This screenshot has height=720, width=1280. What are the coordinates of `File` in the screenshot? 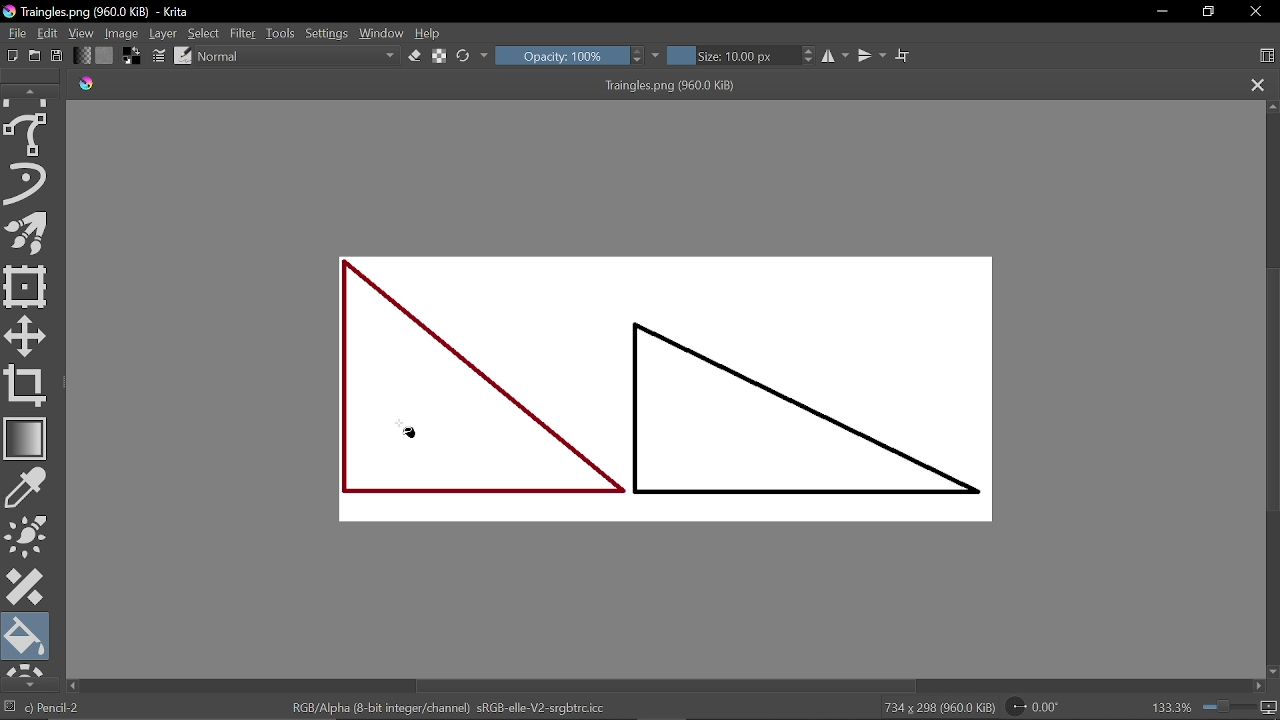 It's located at (14, 35).